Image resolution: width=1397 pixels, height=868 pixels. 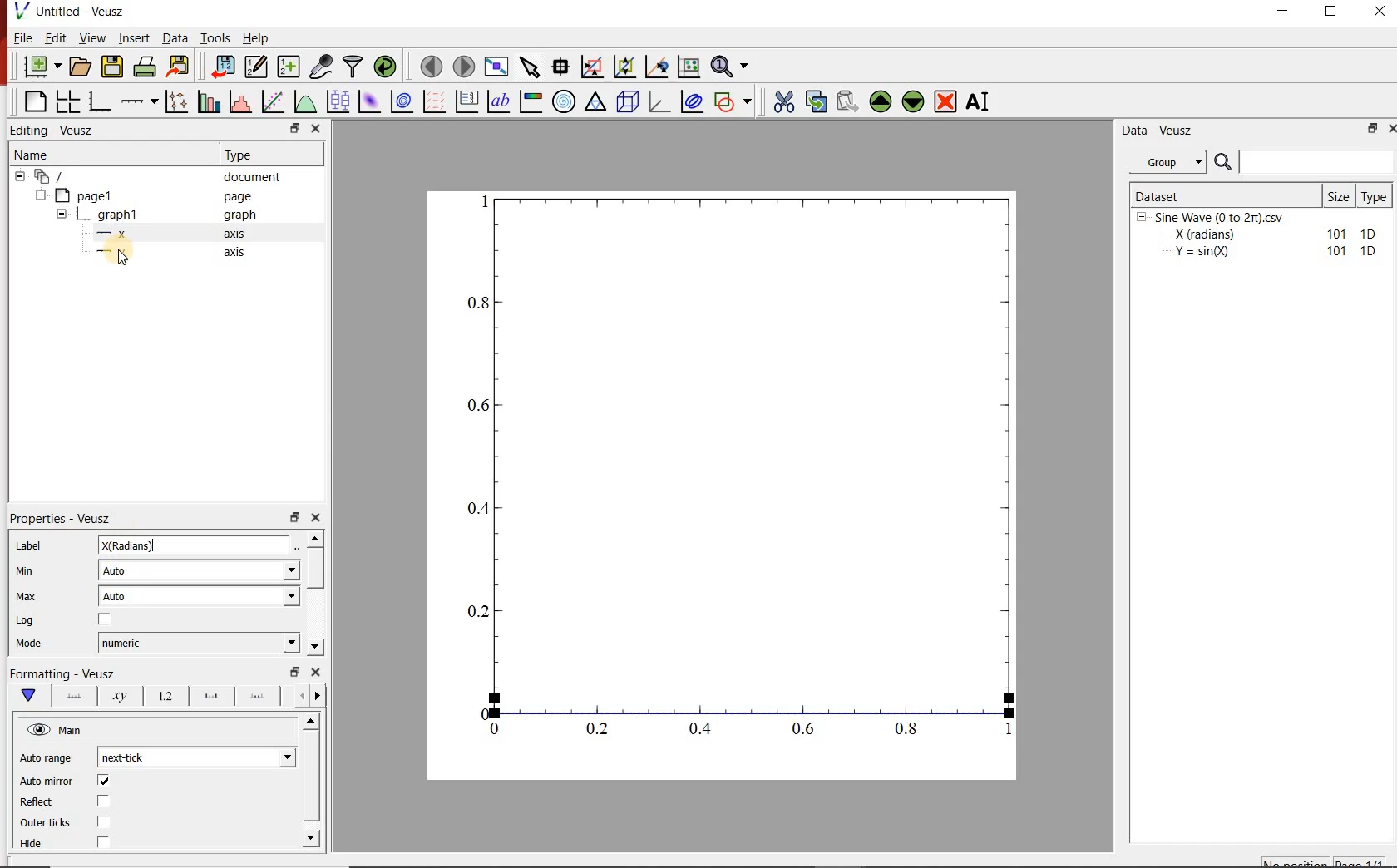 What do you see at coordinates (847, 101) in the screenshot?
I see `paste` at bounding box center [847, 101].